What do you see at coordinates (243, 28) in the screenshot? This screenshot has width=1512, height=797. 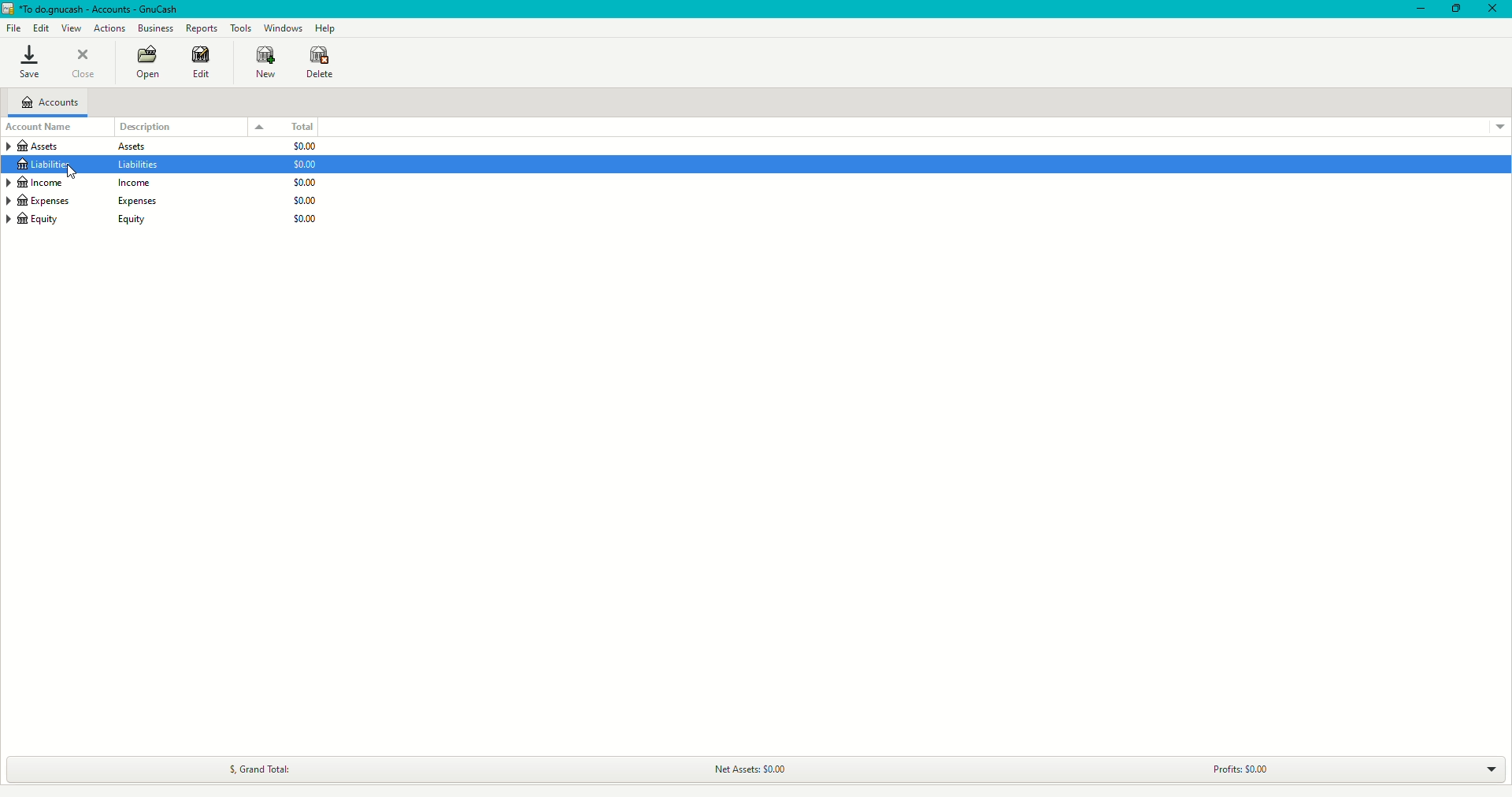 I see `Tools` at bounding box center [243, 28].